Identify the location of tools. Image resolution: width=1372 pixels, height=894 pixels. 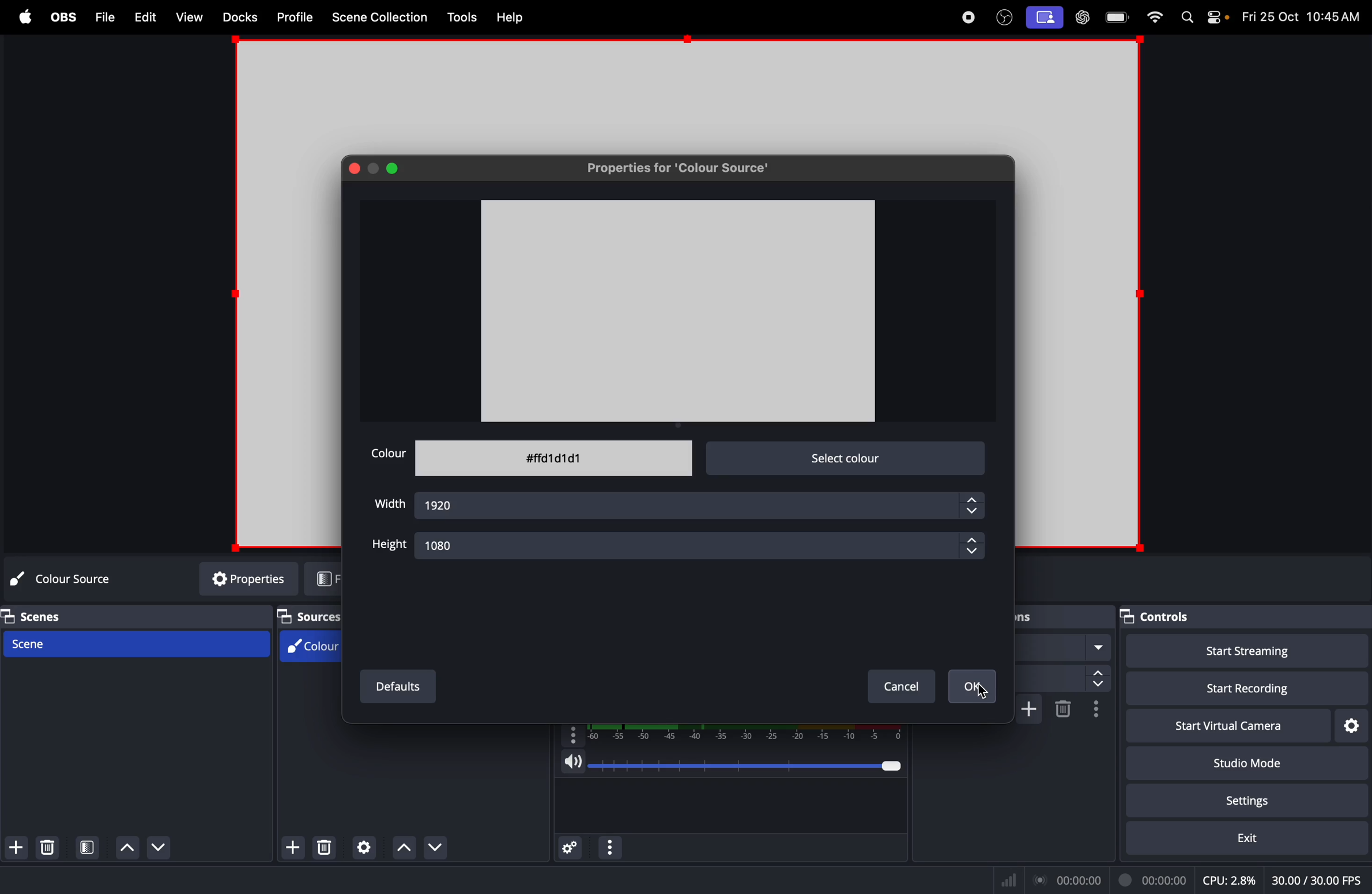
(462, 17).